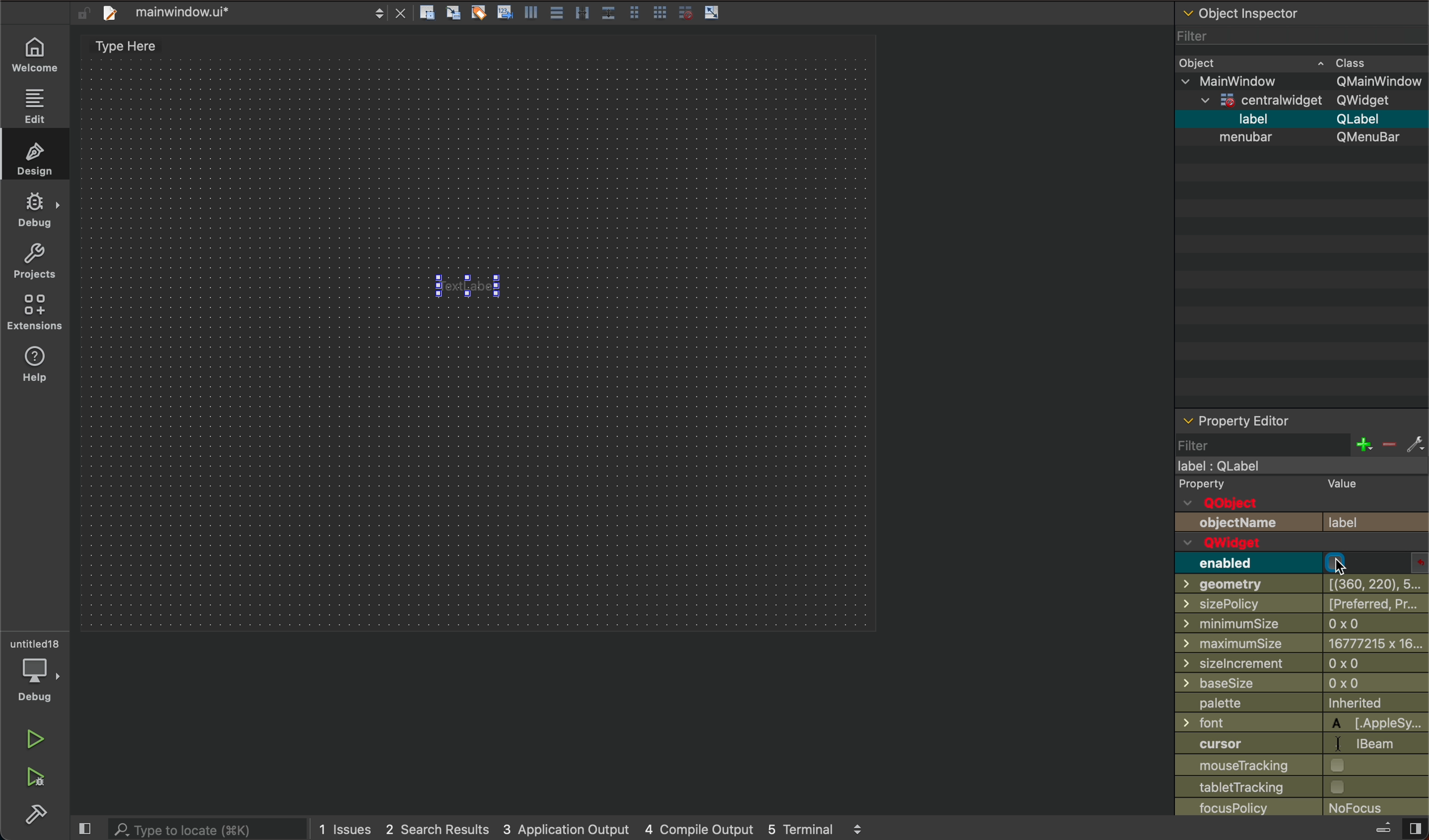 Image resolution: width=1429 pixels, height=840 pixels. Describe the element at coordinates (1375, 605) in the screenshot. I see `[preferres, pr...` at that location.